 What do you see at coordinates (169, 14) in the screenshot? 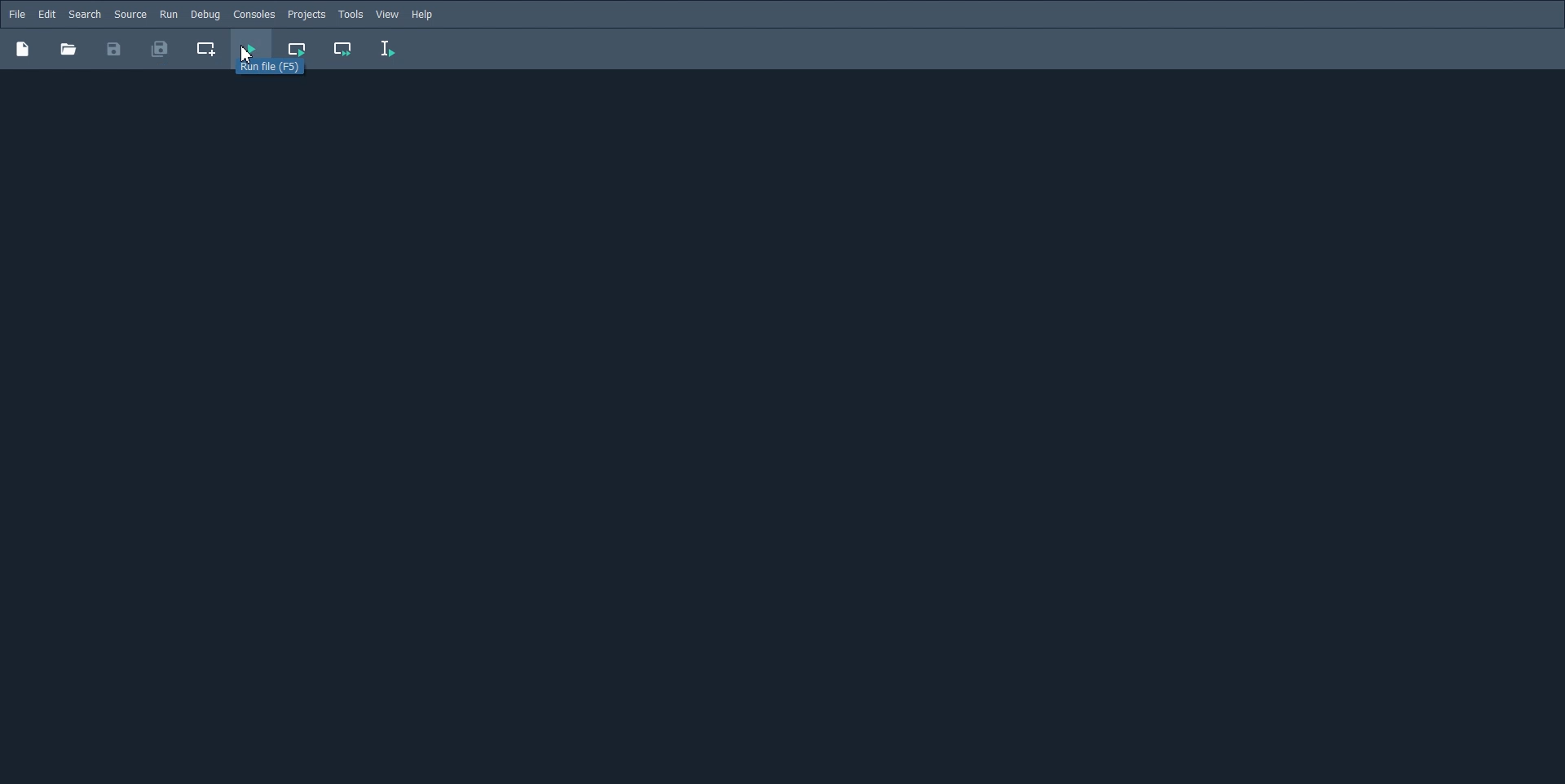
I see `Run` at bounding box center [169, 14].